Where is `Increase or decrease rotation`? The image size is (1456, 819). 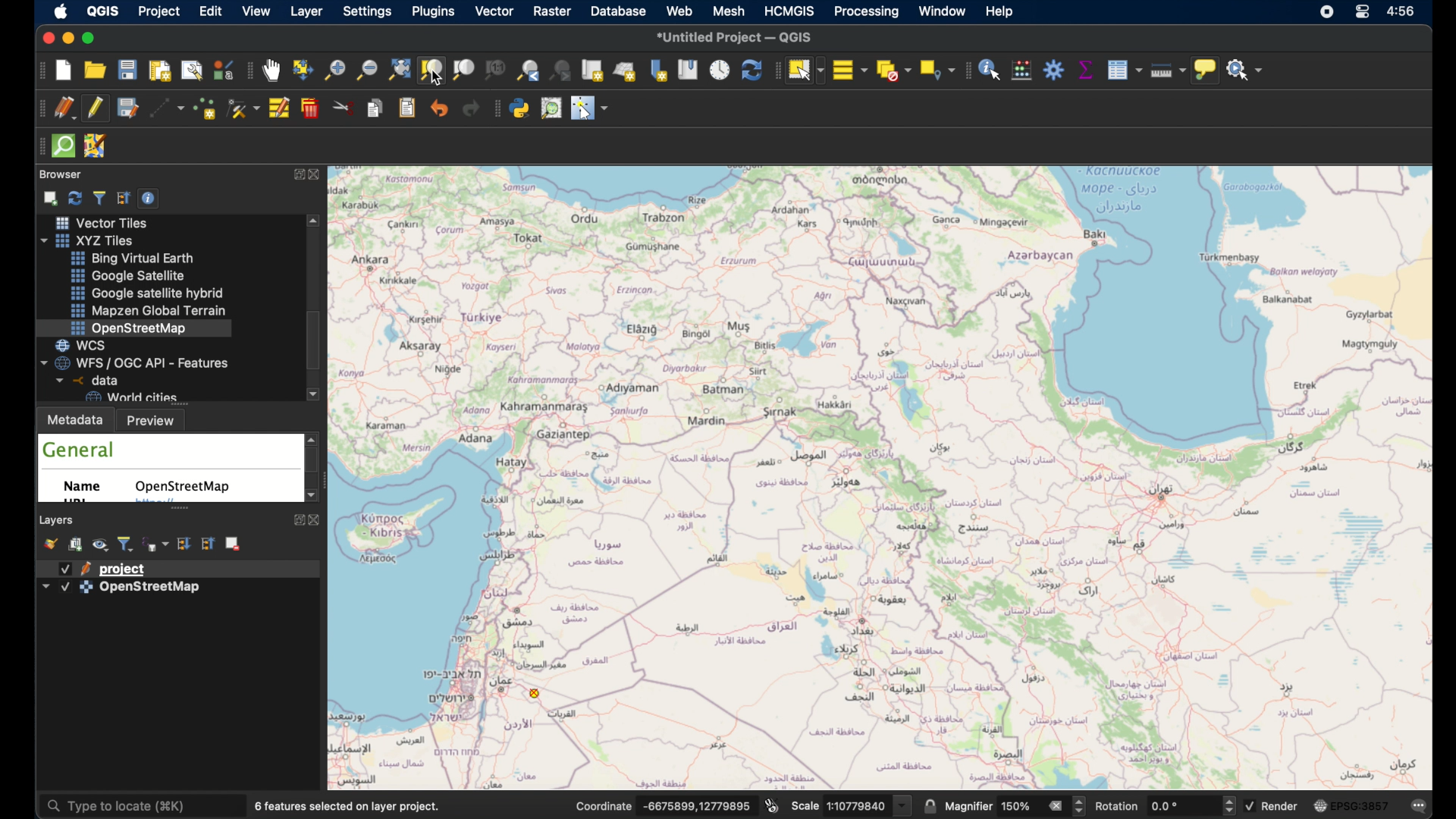 Increase or decrease rotation is located at coordinates (1228, 805).